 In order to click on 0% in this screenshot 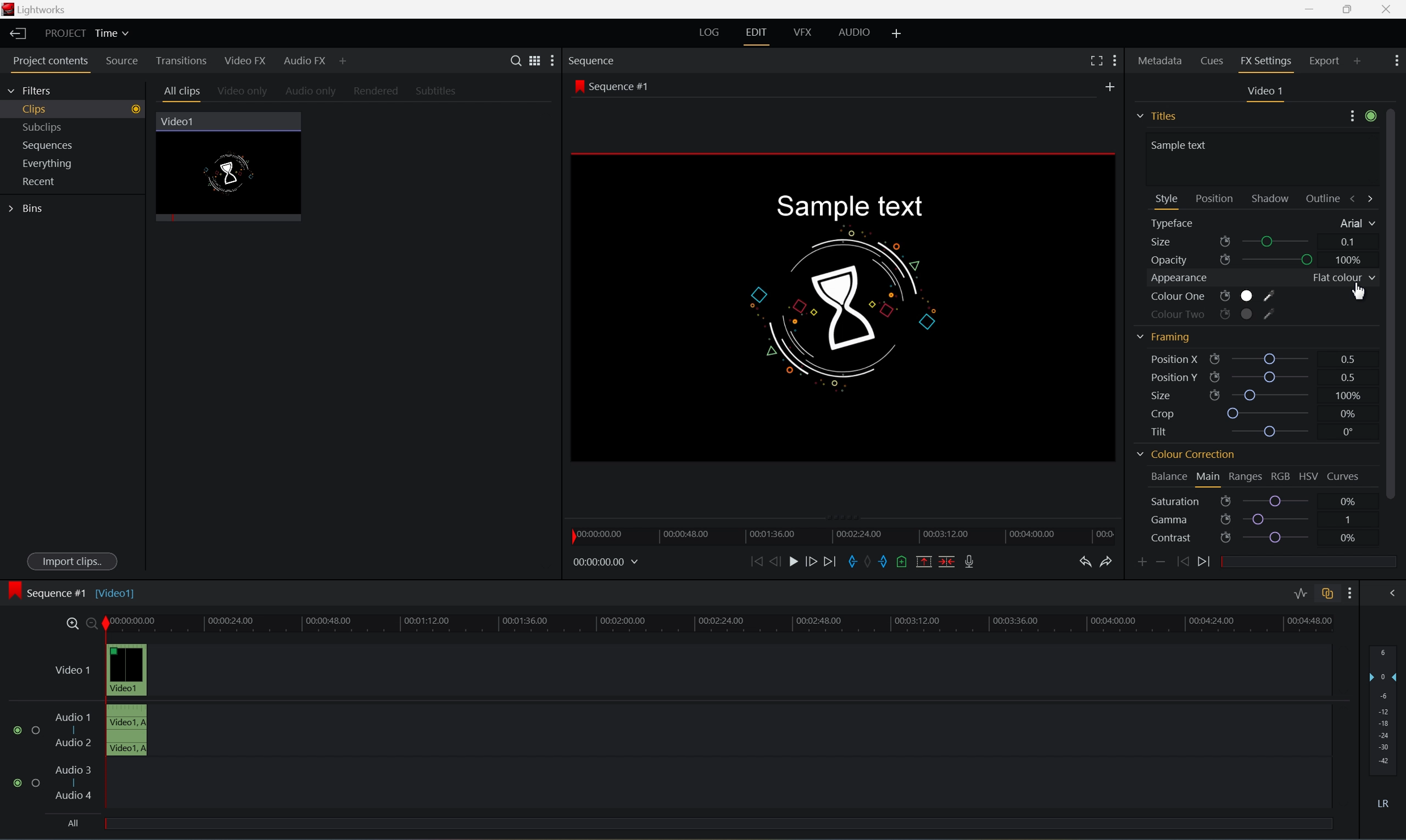, I will do `click(1349, 414)`.